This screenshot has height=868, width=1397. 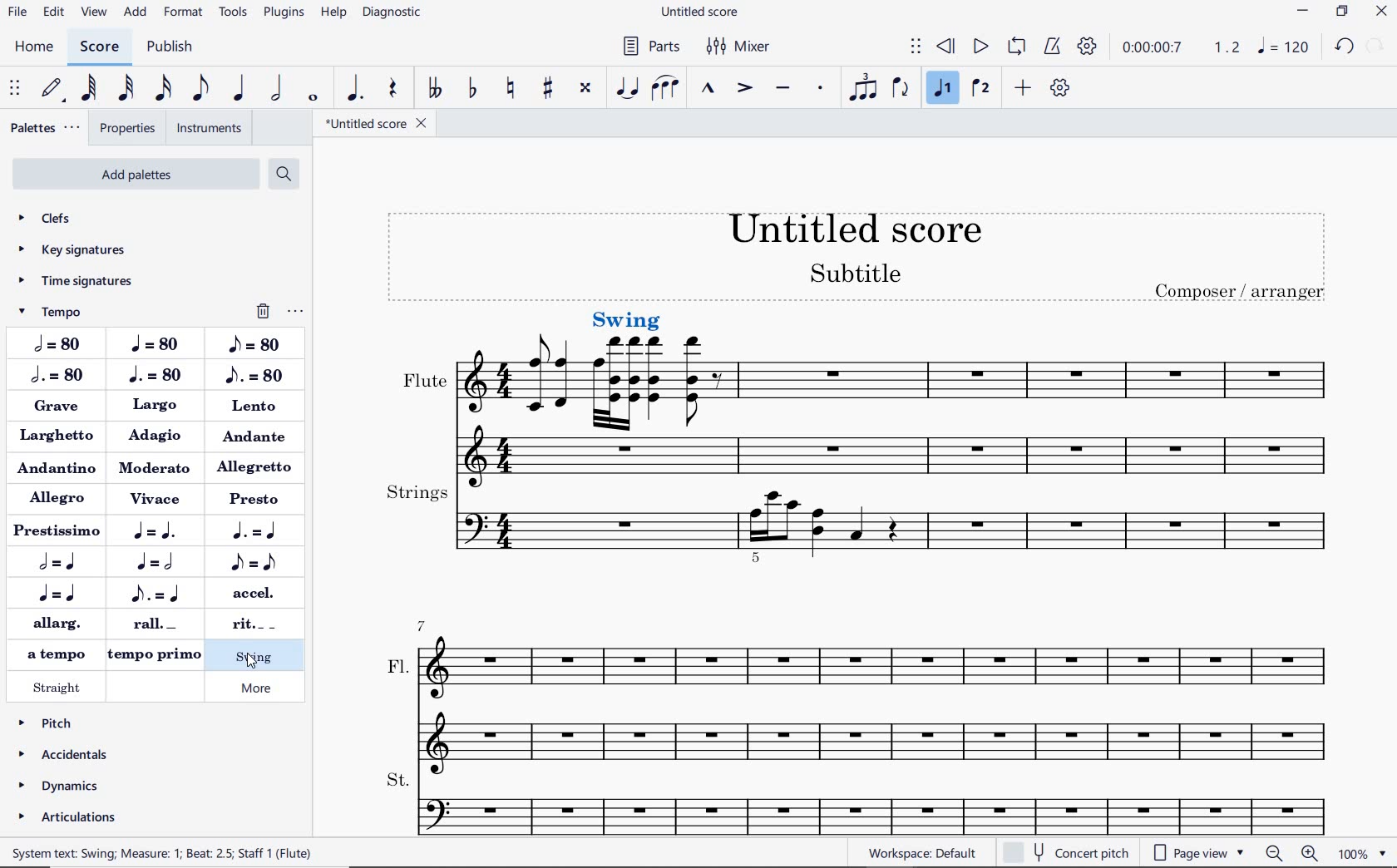 What do you see at coordinates (235, 14) in the screenshot?
I see `tools` at bounding box center [235, 14].